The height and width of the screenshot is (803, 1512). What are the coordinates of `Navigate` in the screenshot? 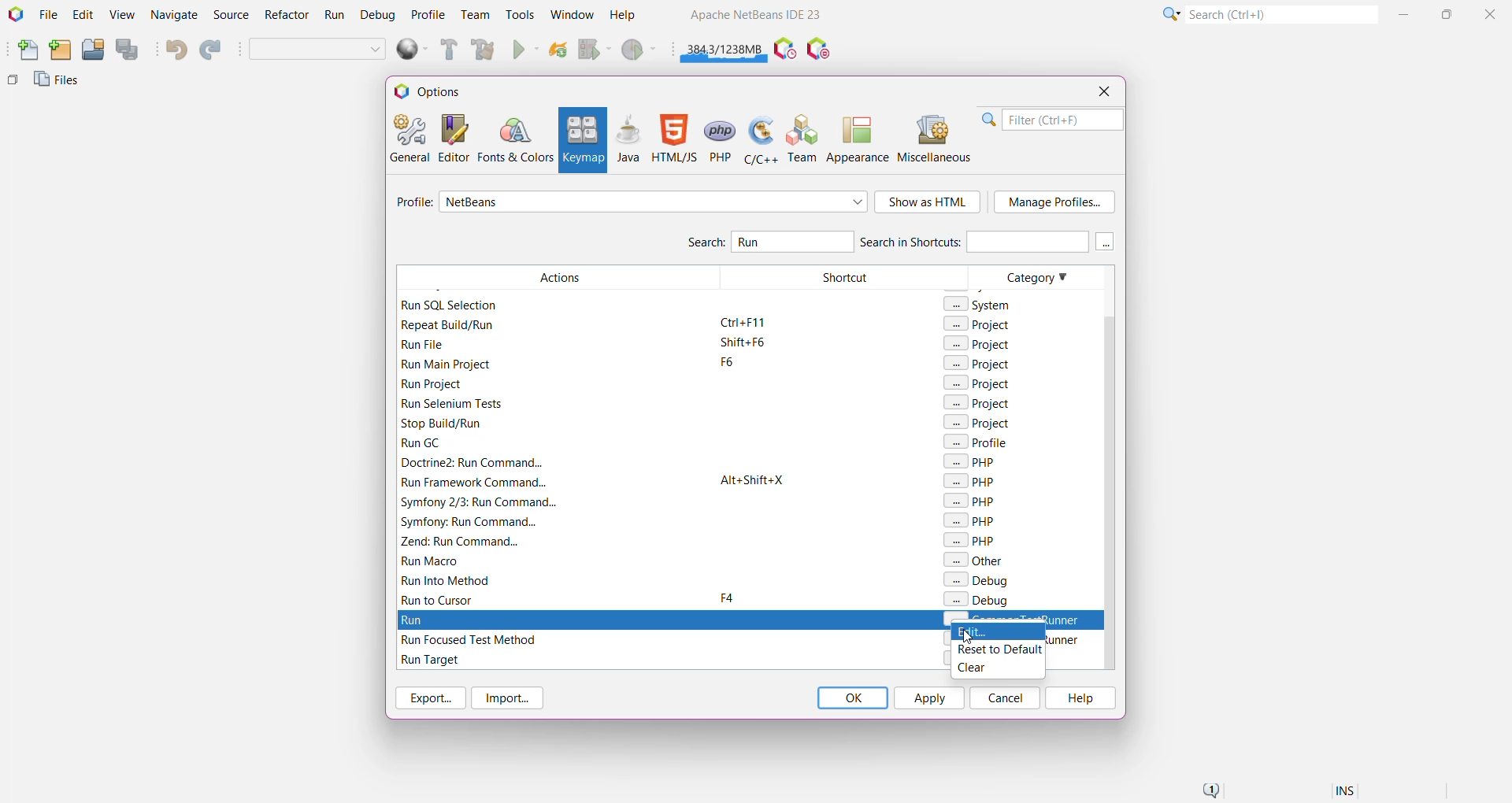 It's located at (175, 16).